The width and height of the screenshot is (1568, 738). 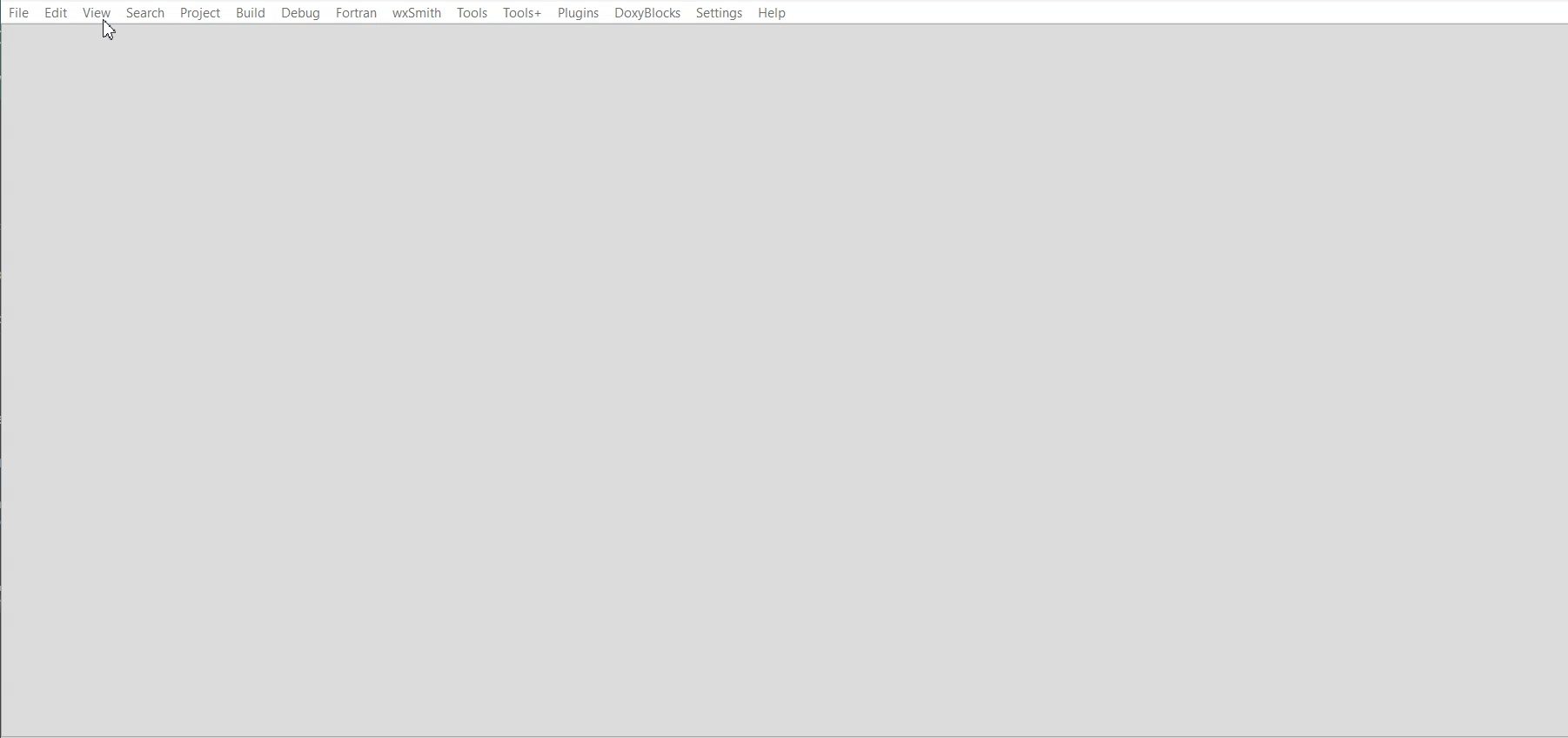 I want to click on Build, so click(x=250, y=12).